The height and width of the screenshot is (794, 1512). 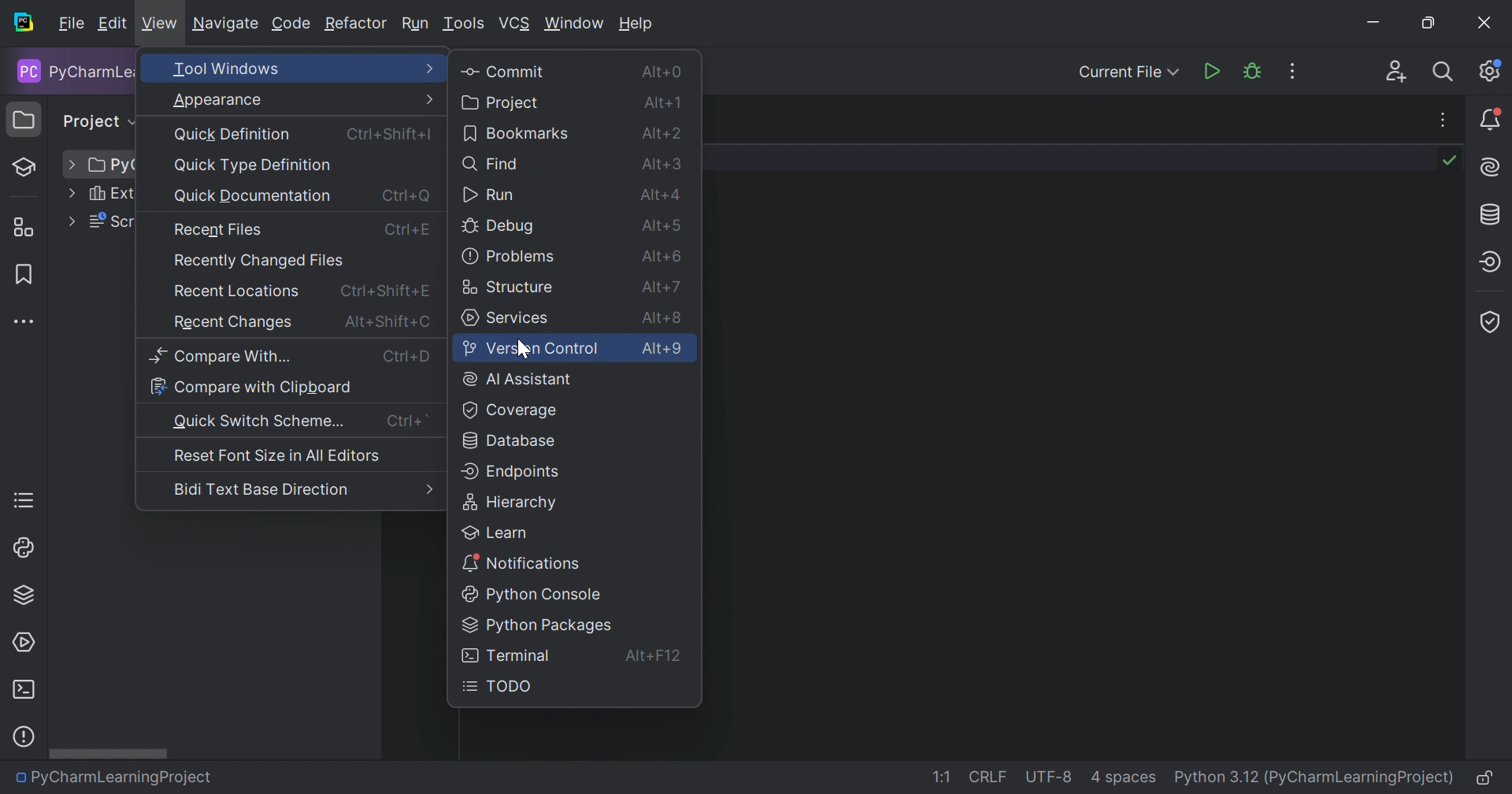 I want to click on Alt+4, so click(x=658, y=195).